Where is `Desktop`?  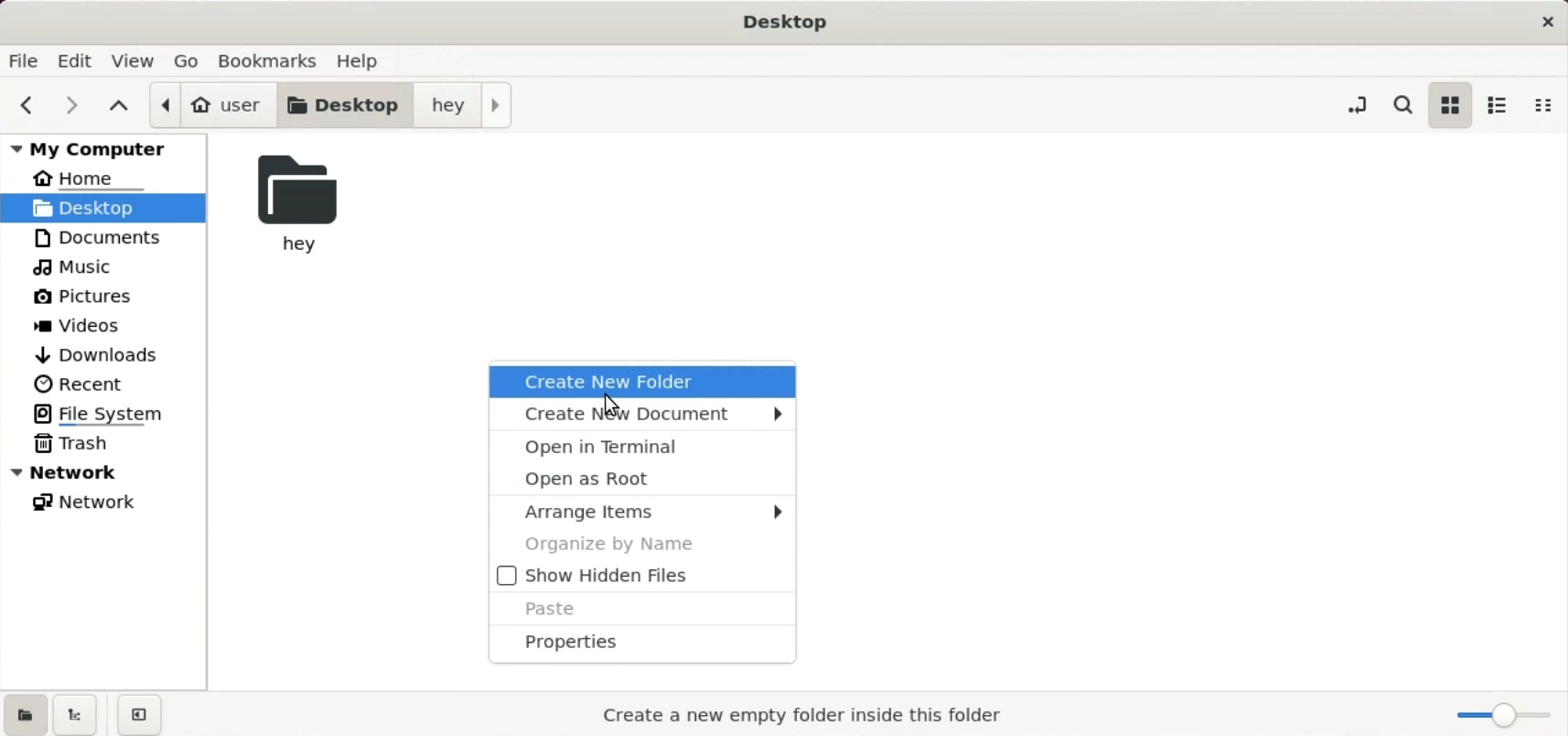 Desktop is located at coordinates (793, 20).